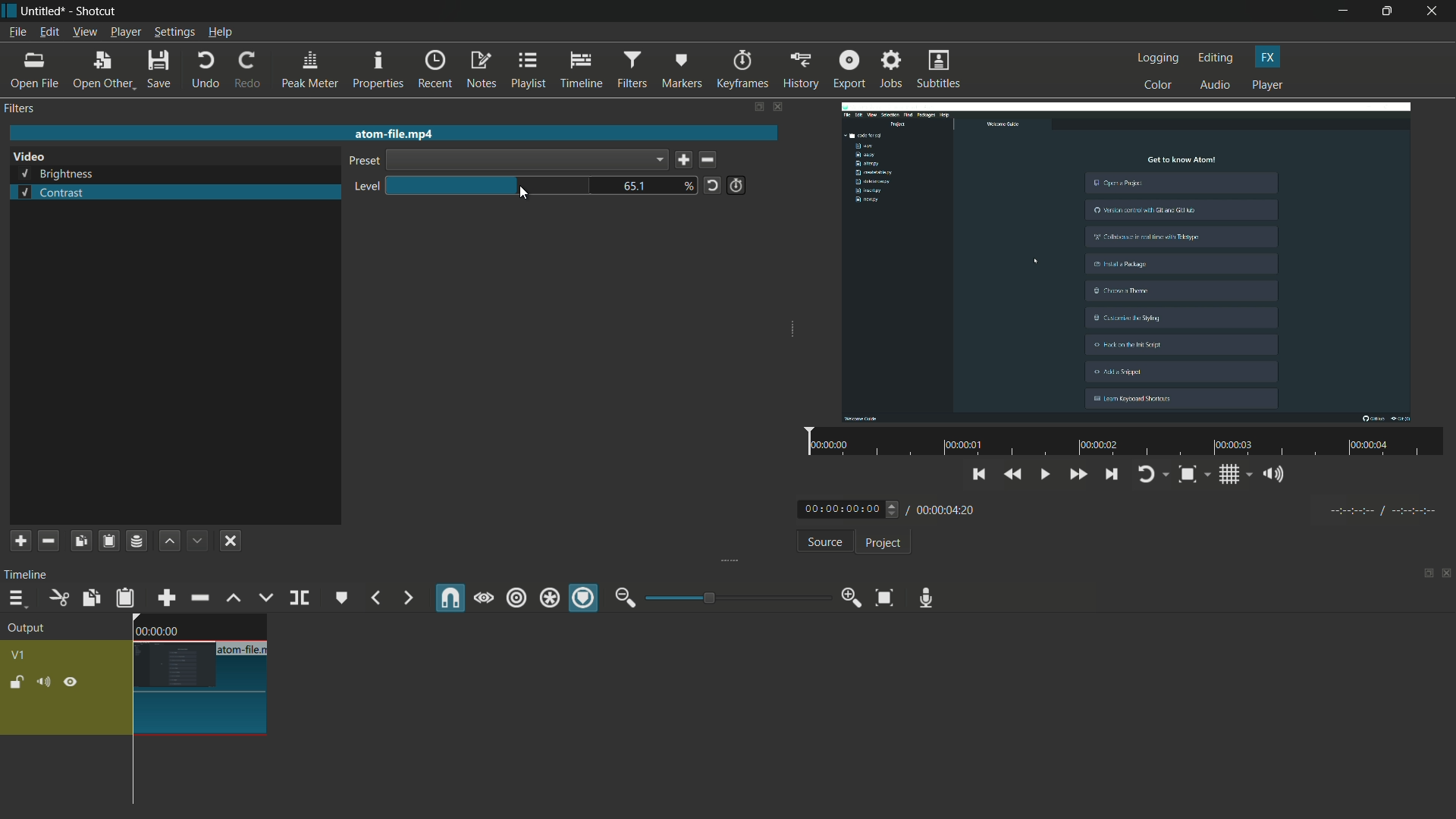 This screenshot has height=819, width=1456. I want to click on / 00:00:04:20 (total time), so click(943, 507).